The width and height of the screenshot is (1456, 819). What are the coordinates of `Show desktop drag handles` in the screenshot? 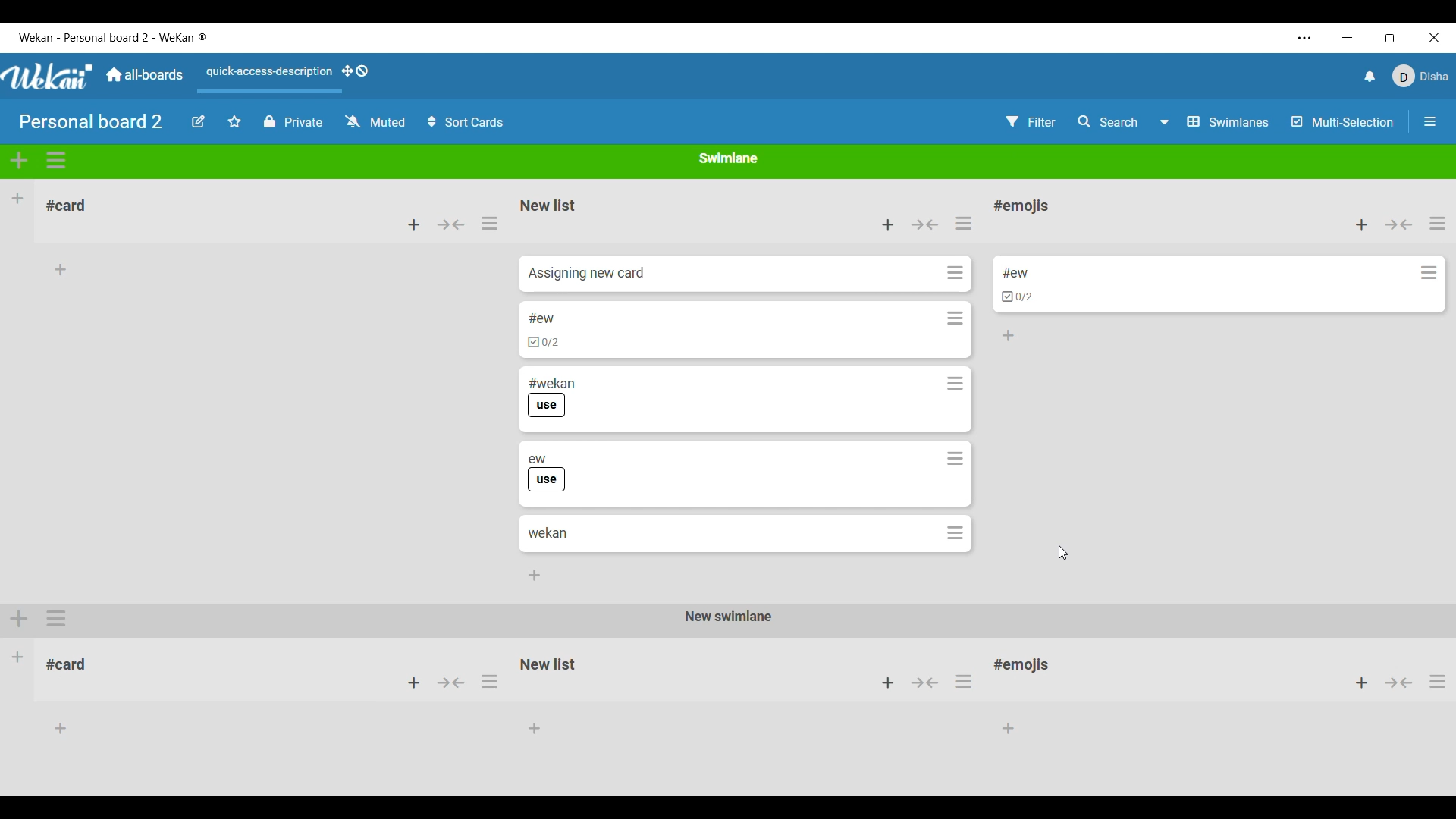 It's located at (355, 71).